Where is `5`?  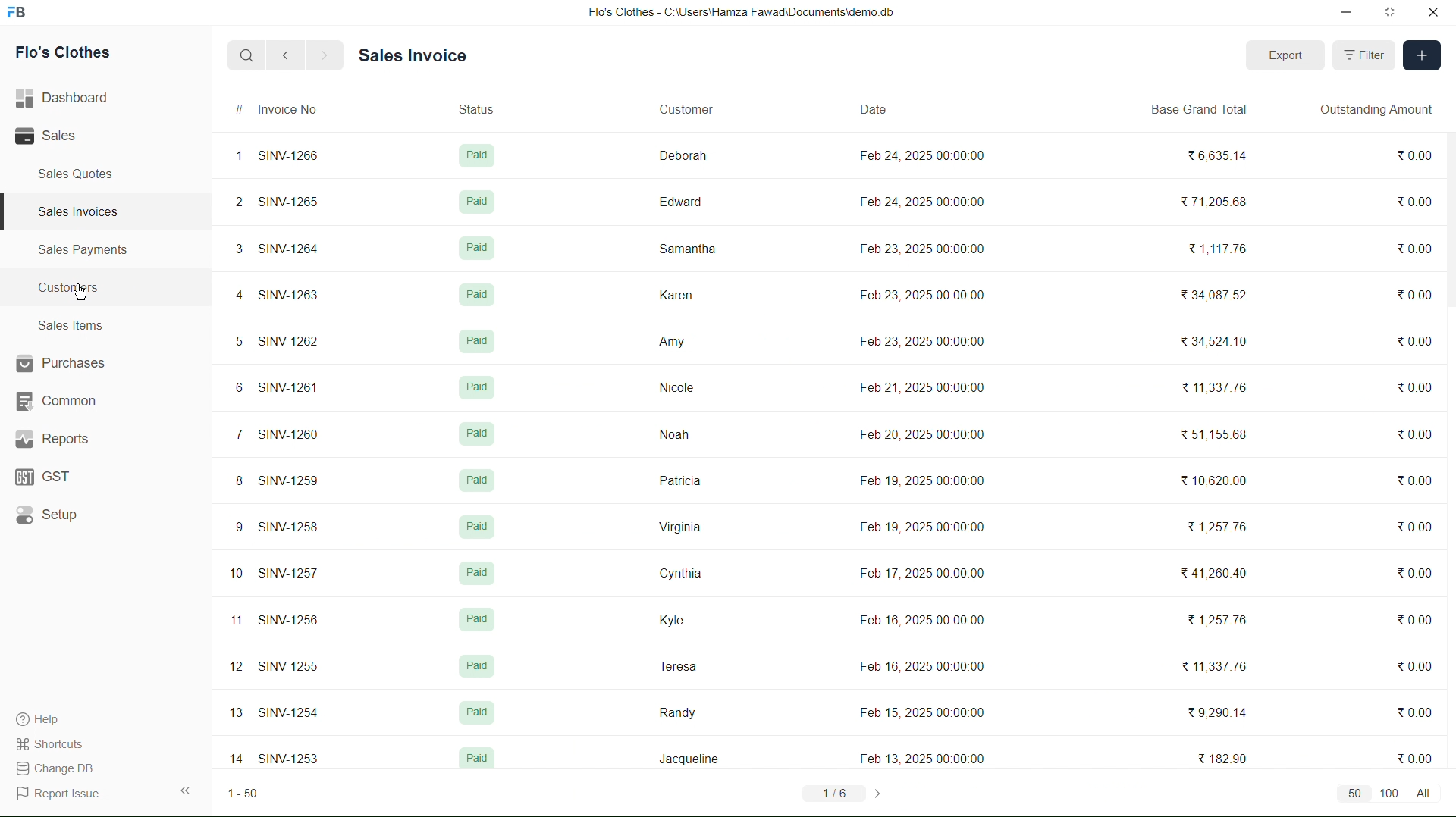 5 is located at coordinates (229, 341).